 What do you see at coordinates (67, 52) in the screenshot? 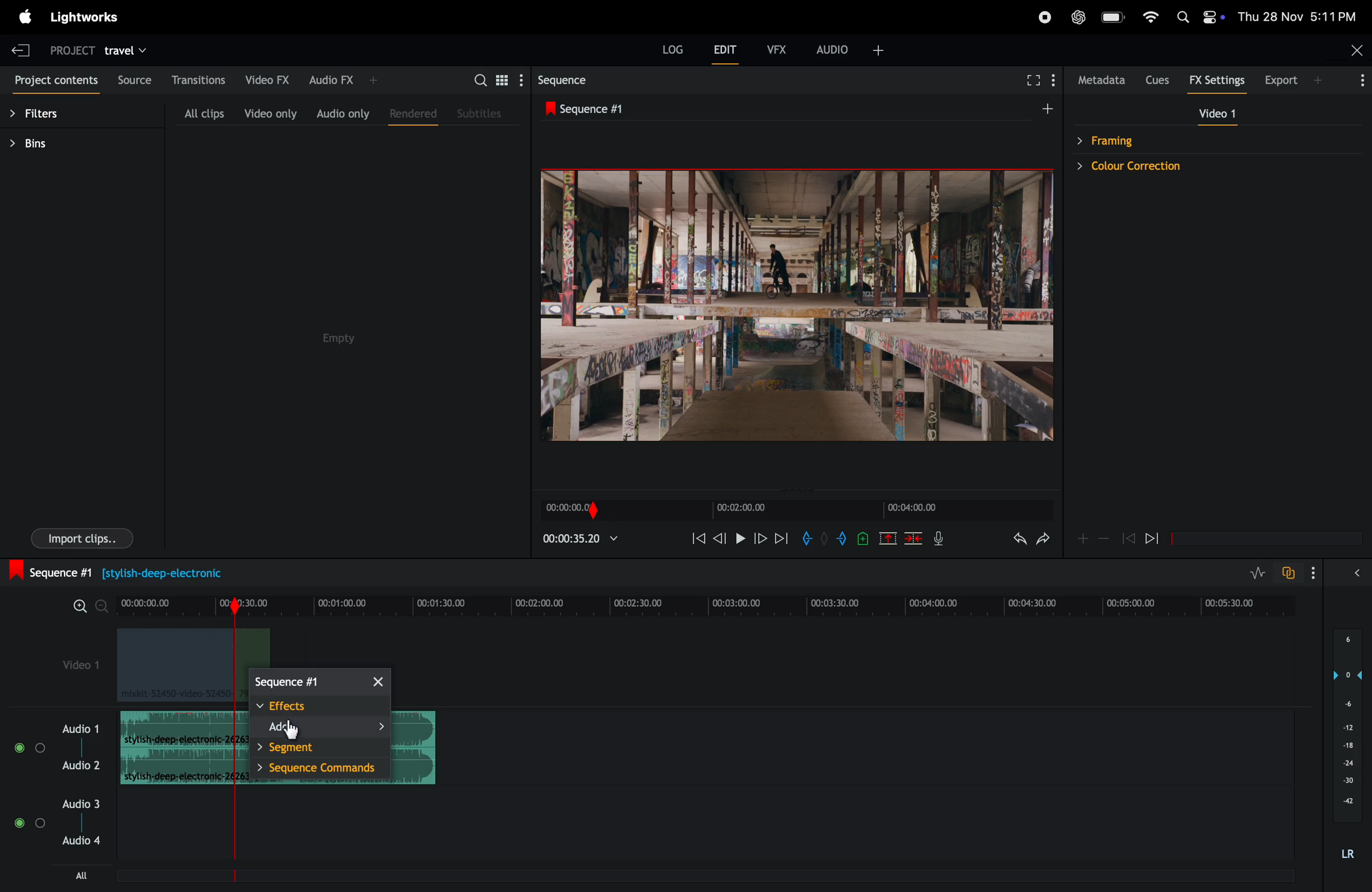
I see `project` at bounding box center [67, 52].